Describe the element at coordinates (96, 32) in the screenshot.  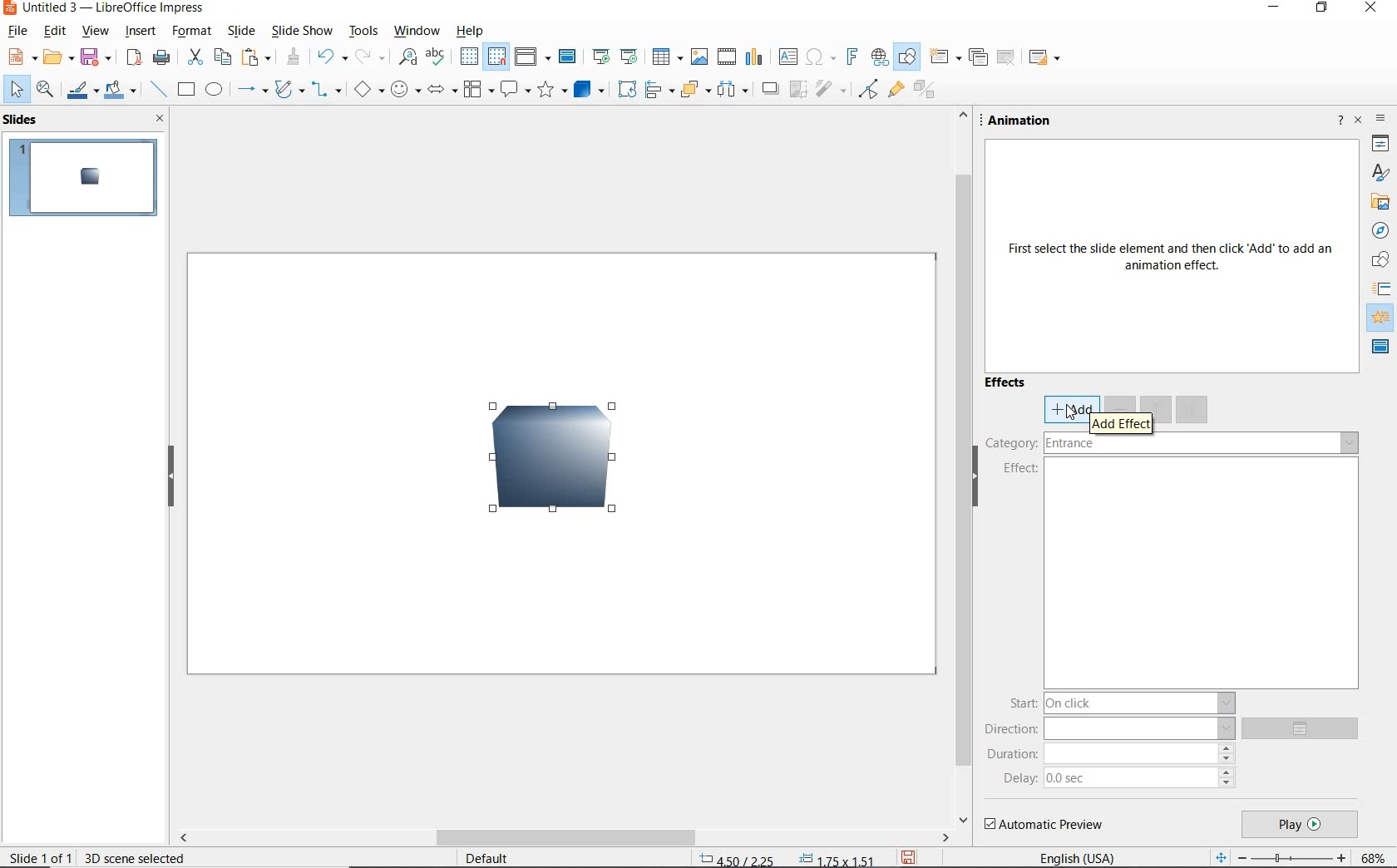
I see `view` at that location.